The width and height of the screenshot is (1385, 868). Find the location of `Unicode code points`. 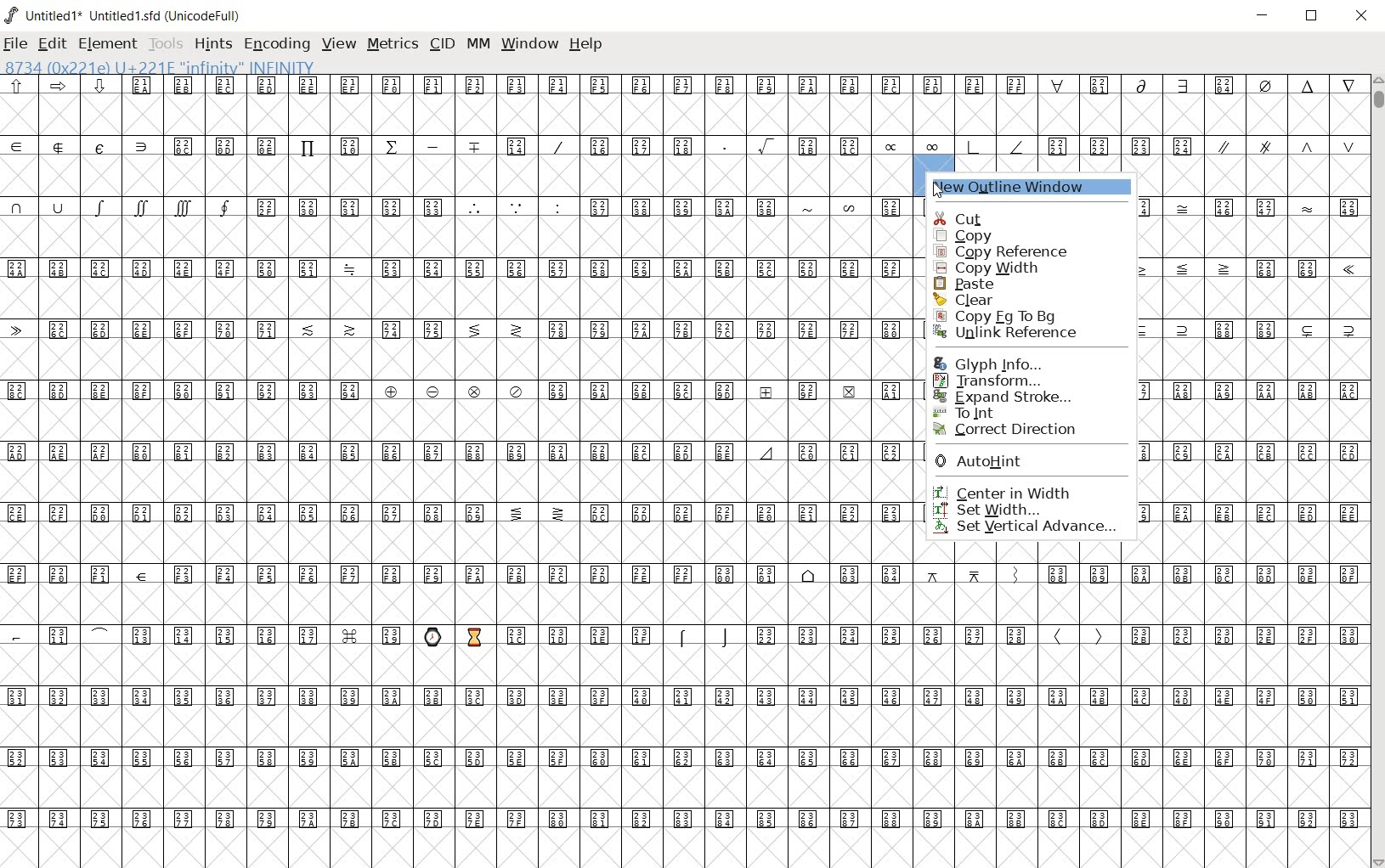

Unicode code points is located at coordinates (1243, 635).